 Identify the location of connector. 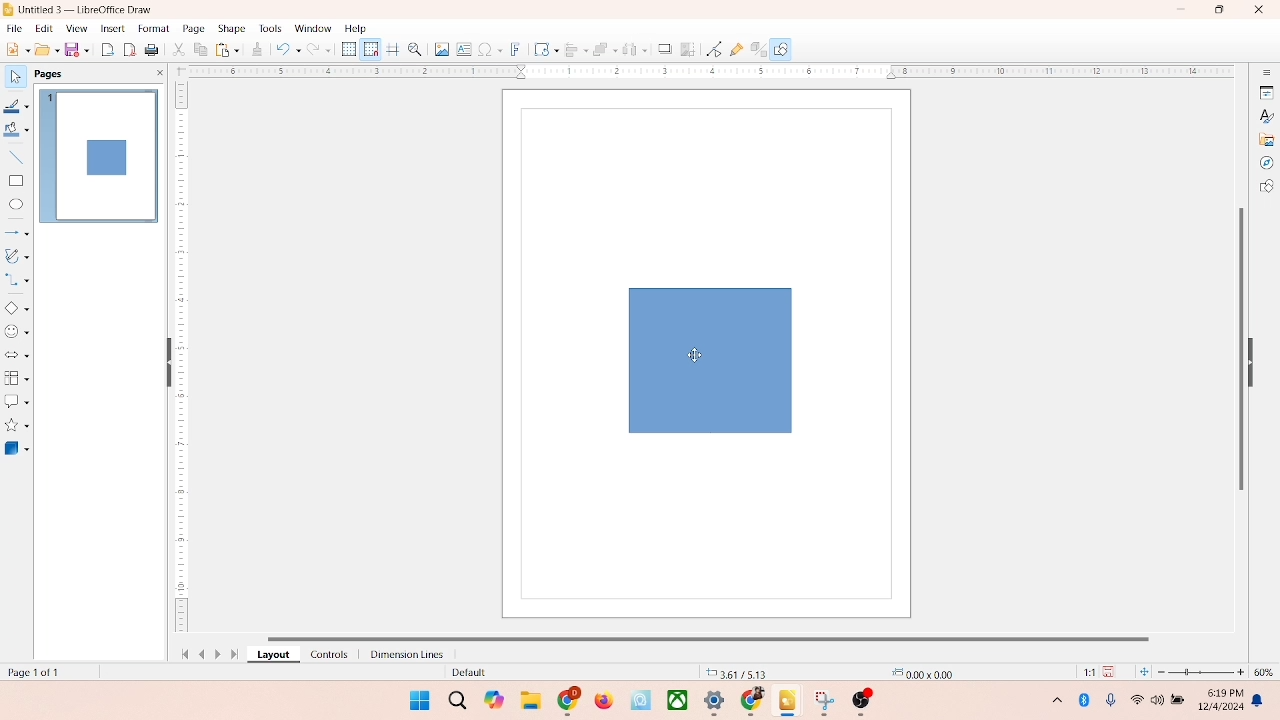
(18, 280).